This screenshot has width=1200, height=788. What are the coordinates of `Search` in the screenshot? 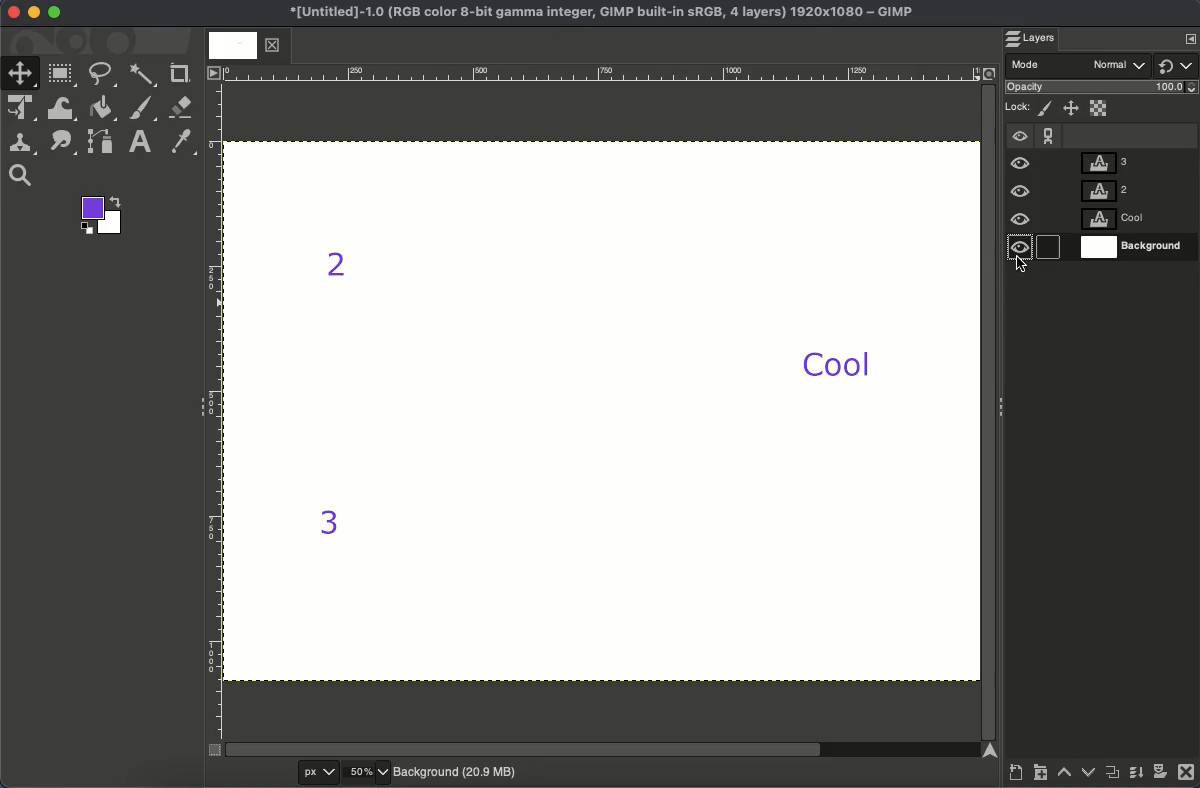 It's located at (20, 176).